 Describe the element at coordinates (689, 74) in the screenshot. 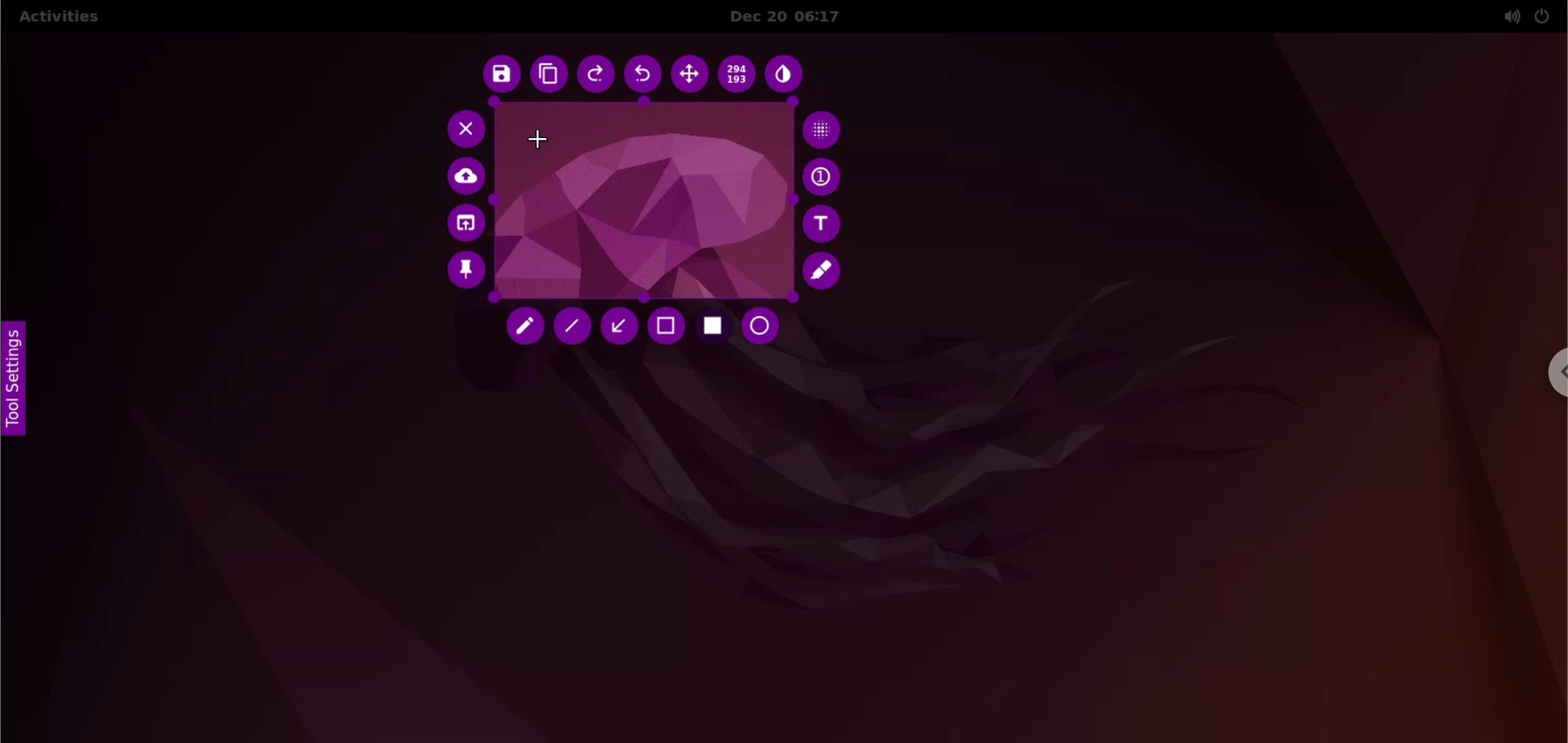

I see `move selection` at that location.